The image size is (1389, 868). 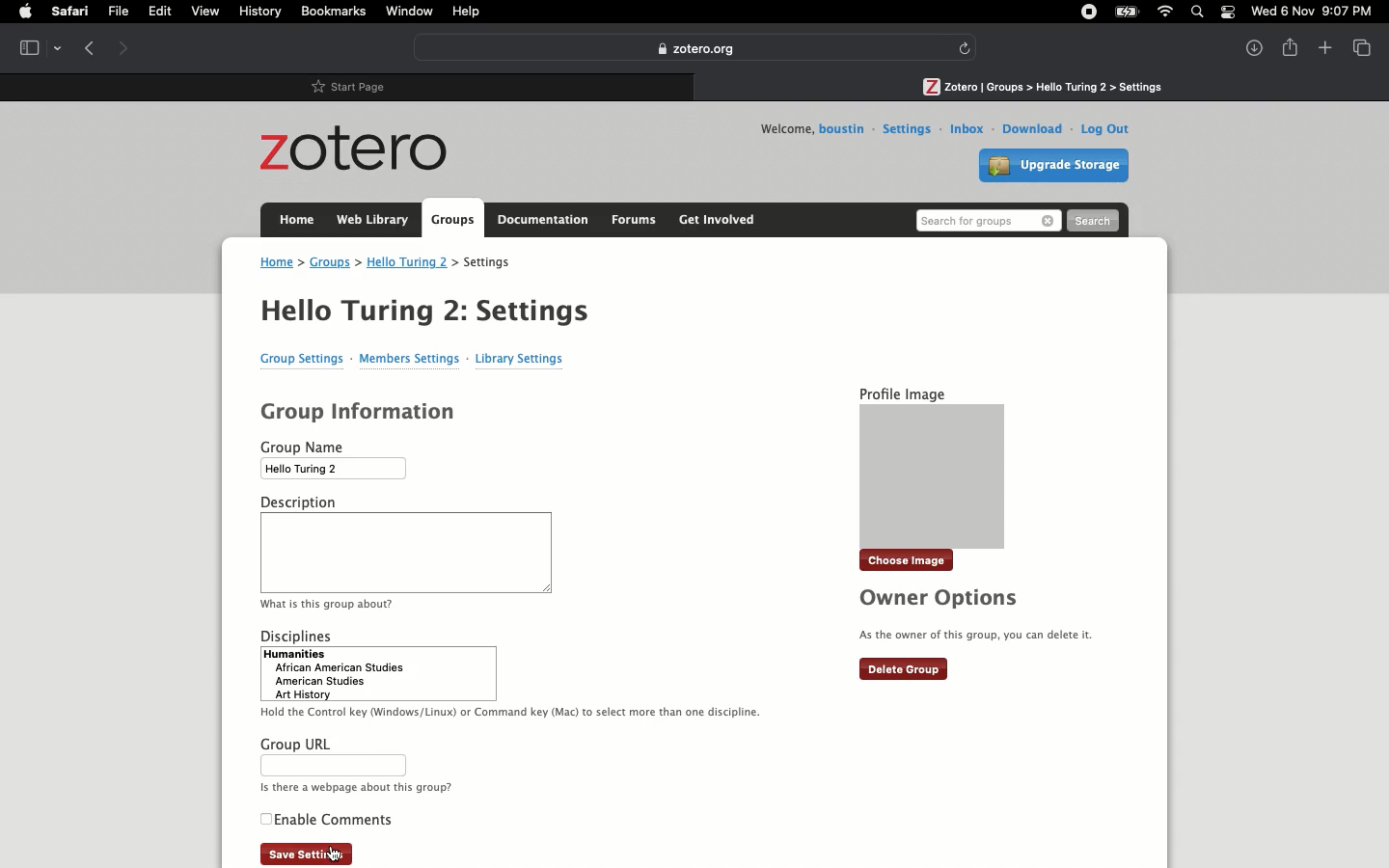 I want to click on History, so click(x=259, y=13).